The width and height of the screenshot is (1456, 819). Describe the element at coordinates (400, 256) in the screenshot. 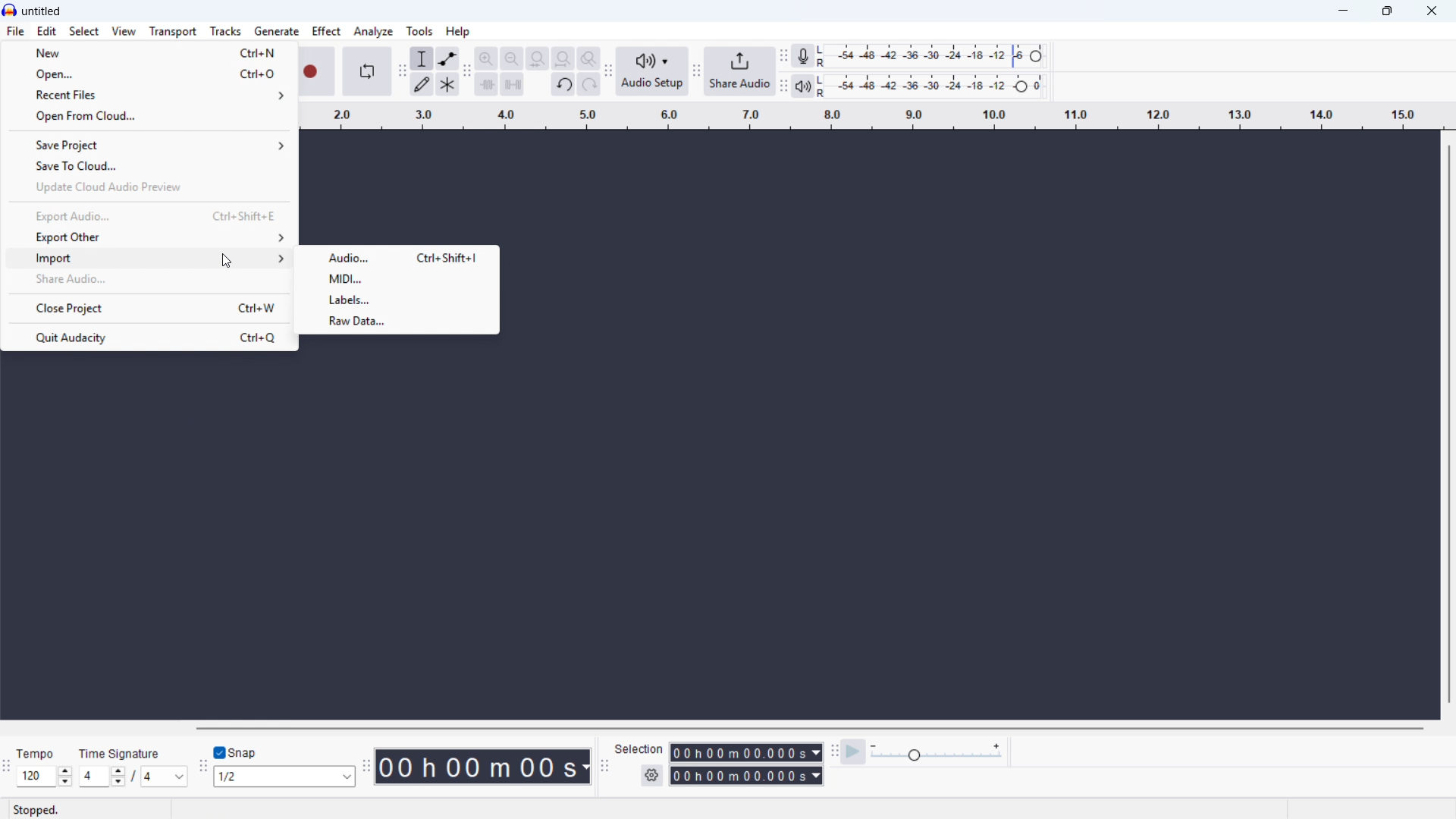

I see `Audio ` at that location.